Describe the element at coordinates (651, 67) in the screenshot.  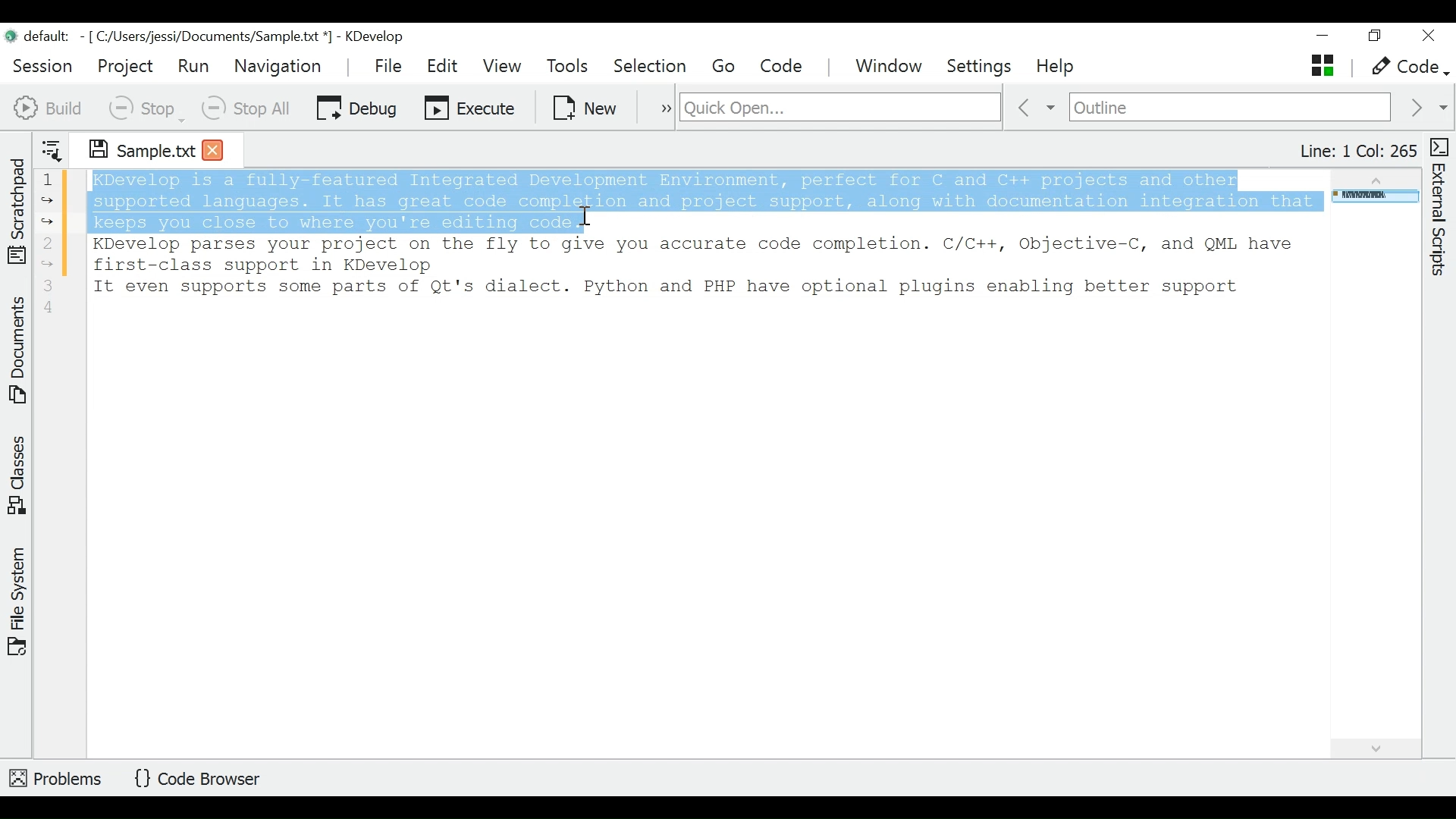
I see `Selection` at that location.